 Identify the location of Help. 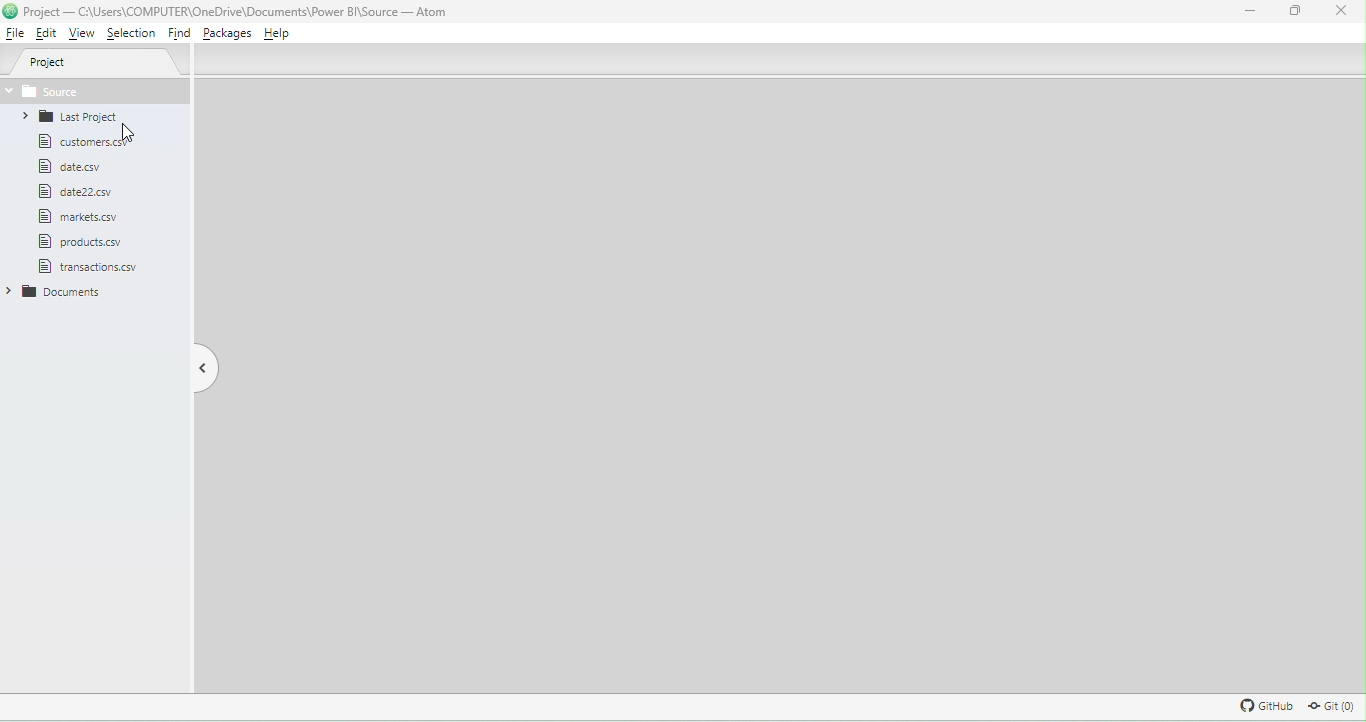
(283, 35).